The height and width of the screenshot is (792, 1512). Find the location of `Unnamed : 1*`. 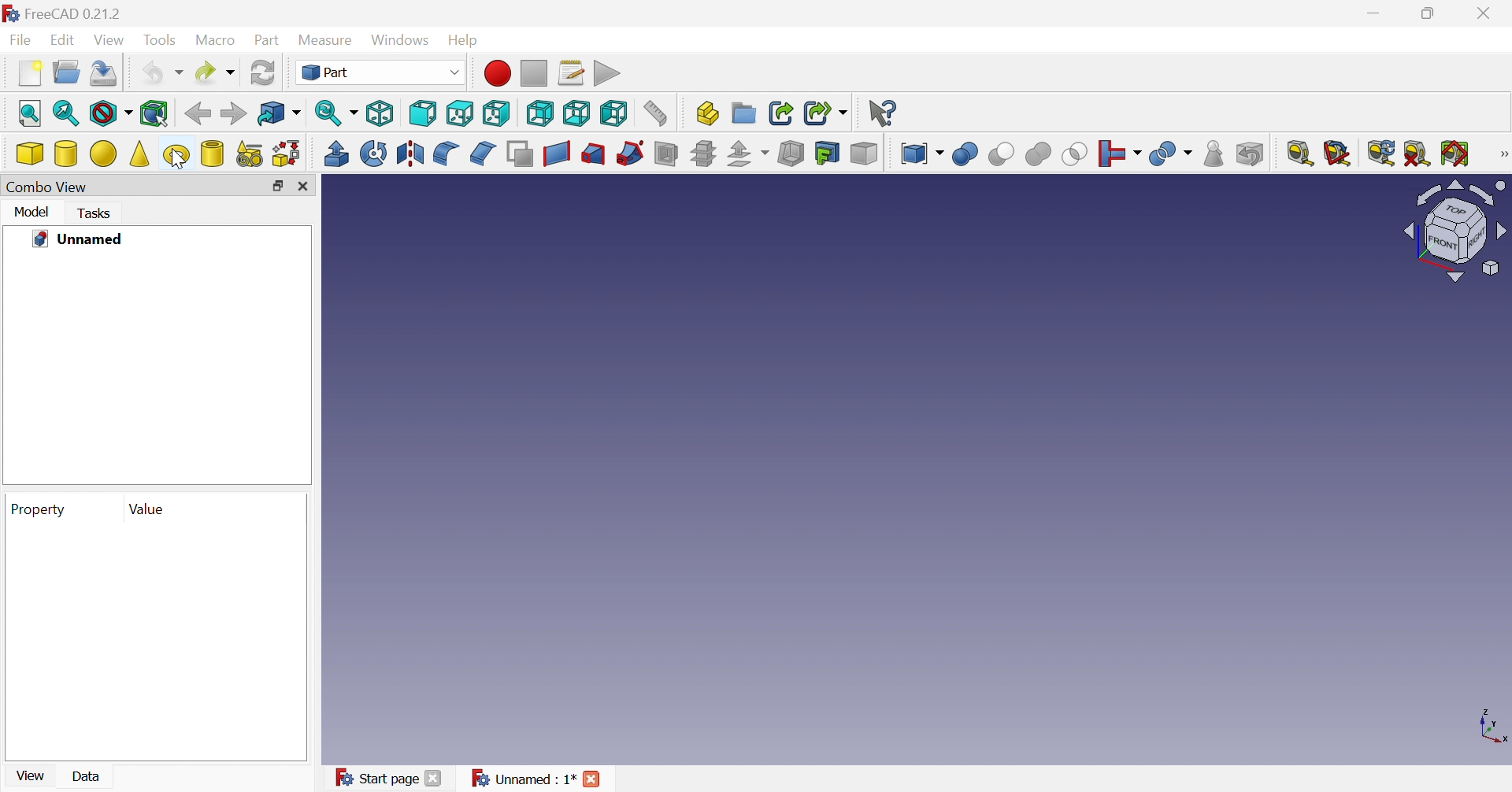

Unnamed : 1* is located at coordinates (524, 779).